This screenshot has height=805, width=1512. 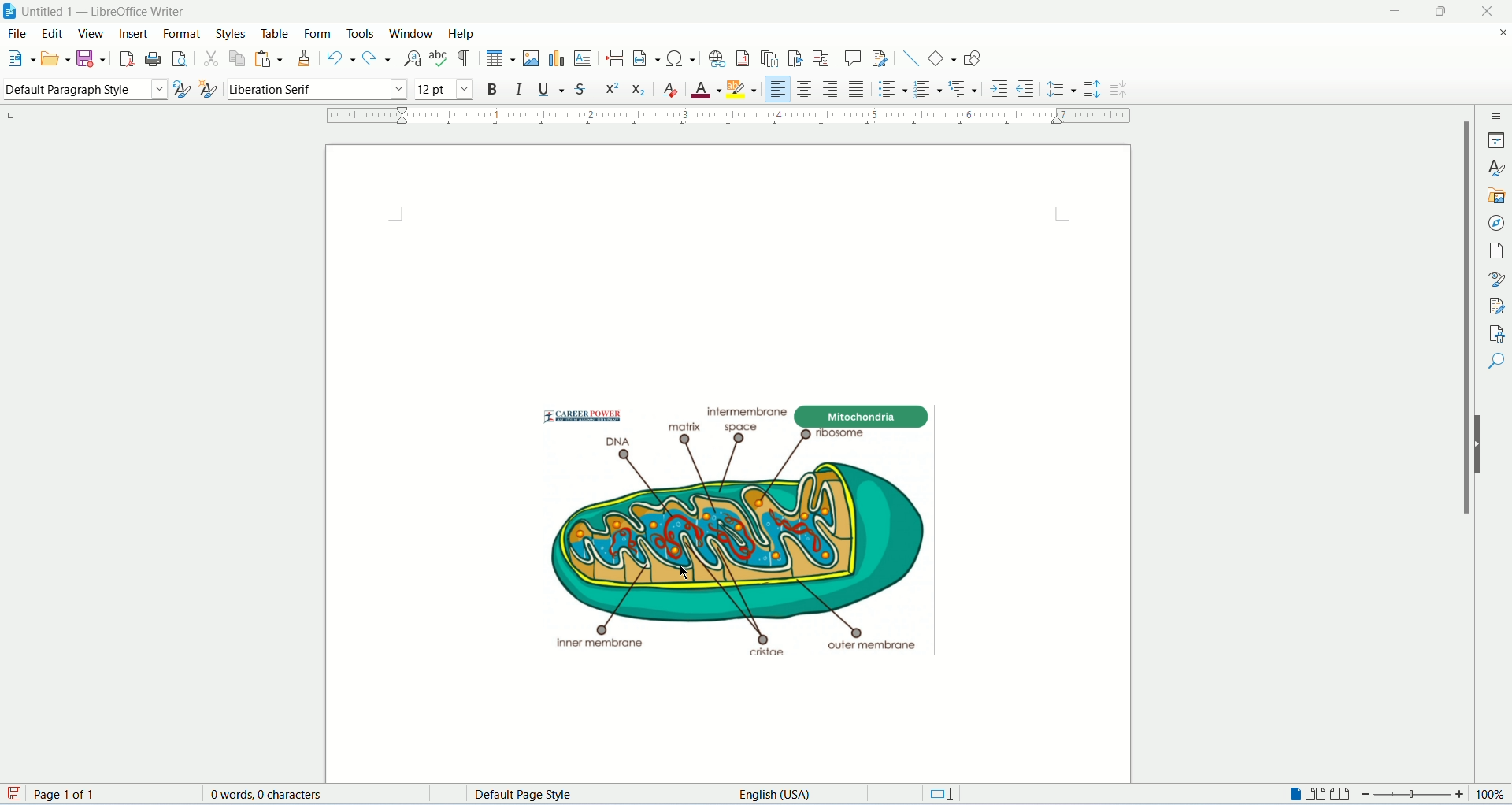 What do you see at coordinates (1496, 362) in the screenshot?
I see `find` at bounding box center [1496, 362].